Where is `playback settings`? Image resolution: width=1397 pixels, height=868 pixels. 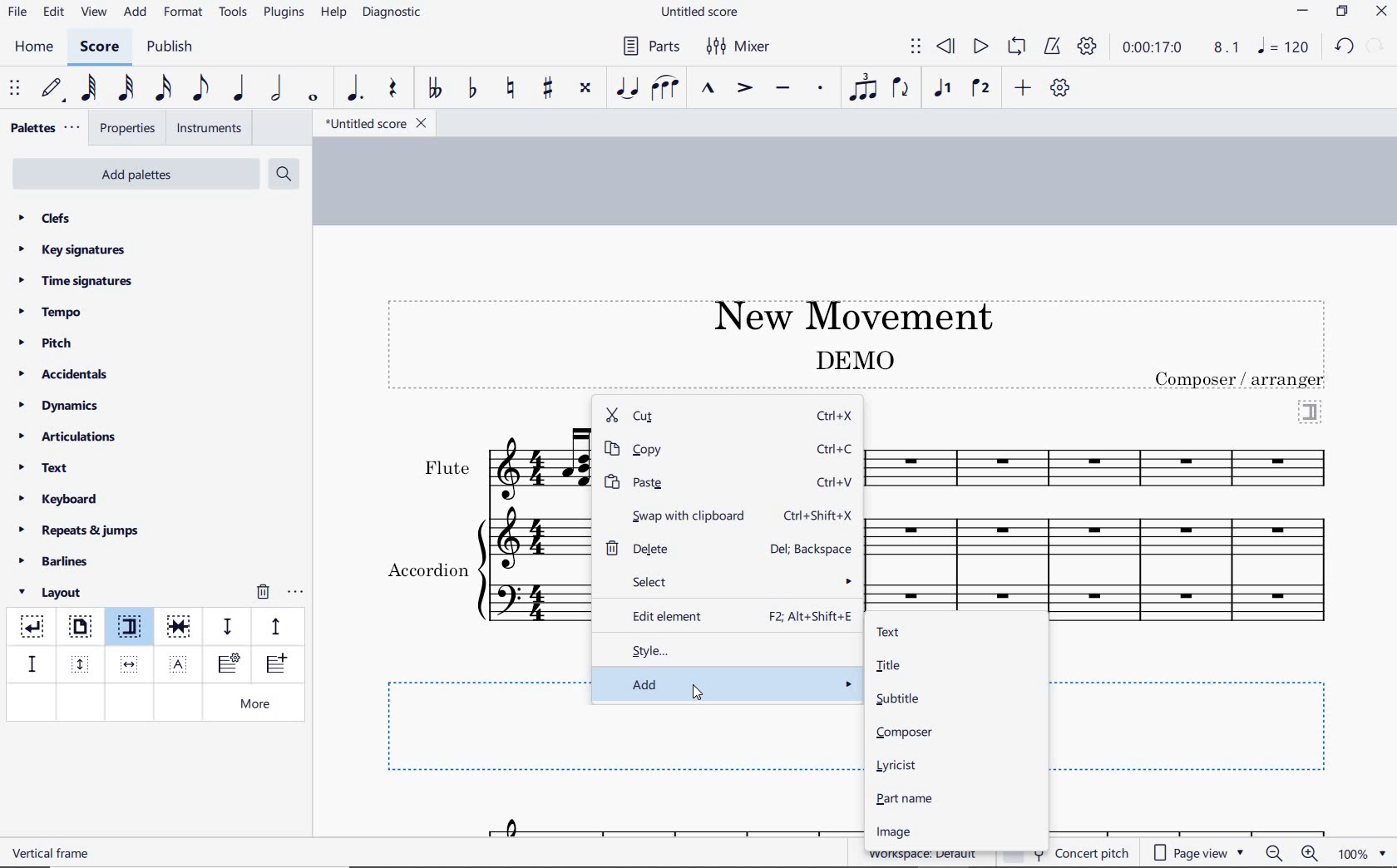
playback settings is located at coordinates (1089, 46).